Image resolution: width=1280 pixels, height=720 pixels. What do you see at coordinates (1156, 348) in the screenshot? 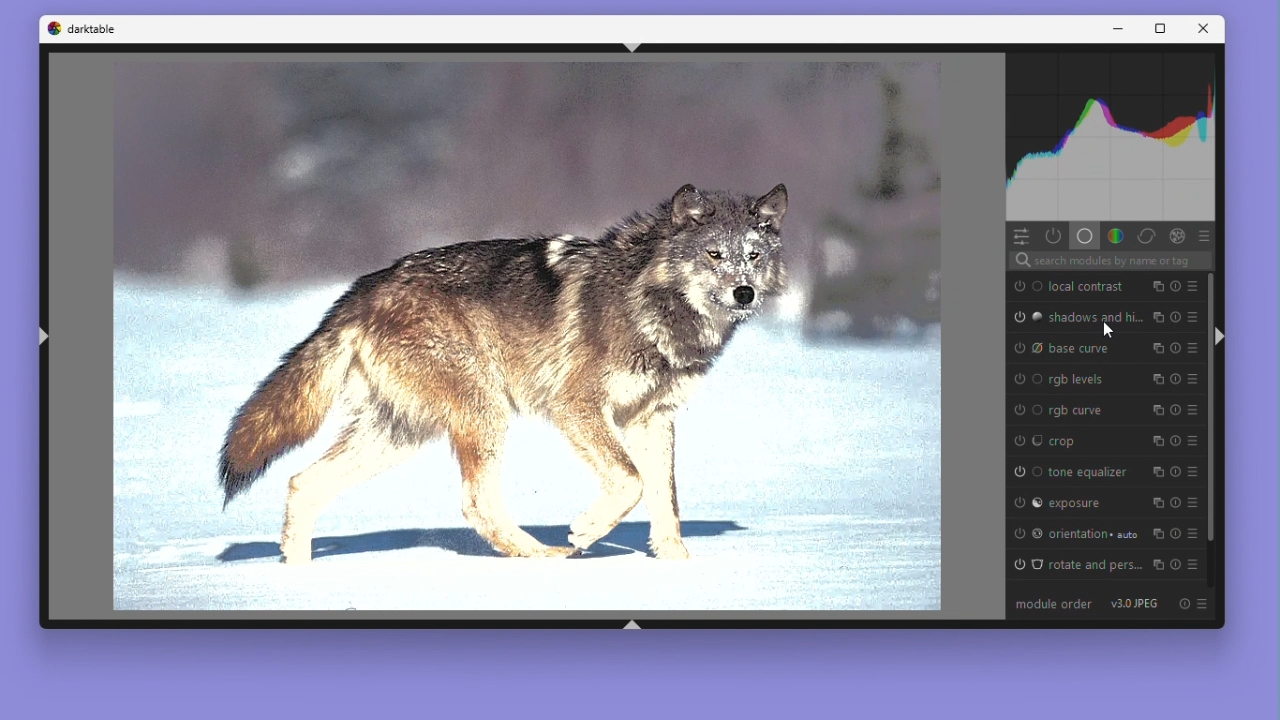
I see `multiple instance actions` at bounding box center [1156, 348].